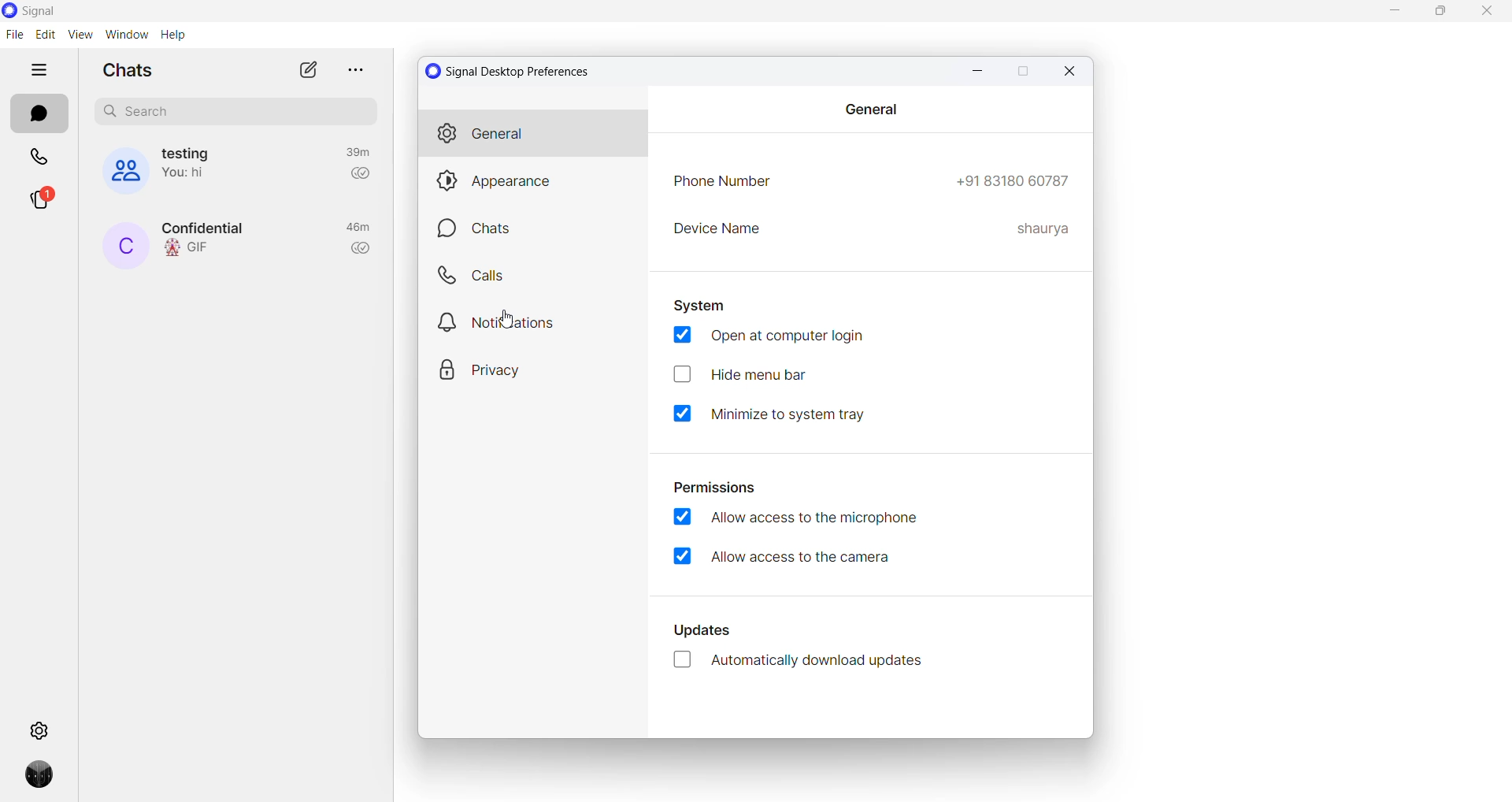 The image size is (1512, 802). Describe the element at coordinates (352, 69) in the screenshot. I see `more options` at that location.